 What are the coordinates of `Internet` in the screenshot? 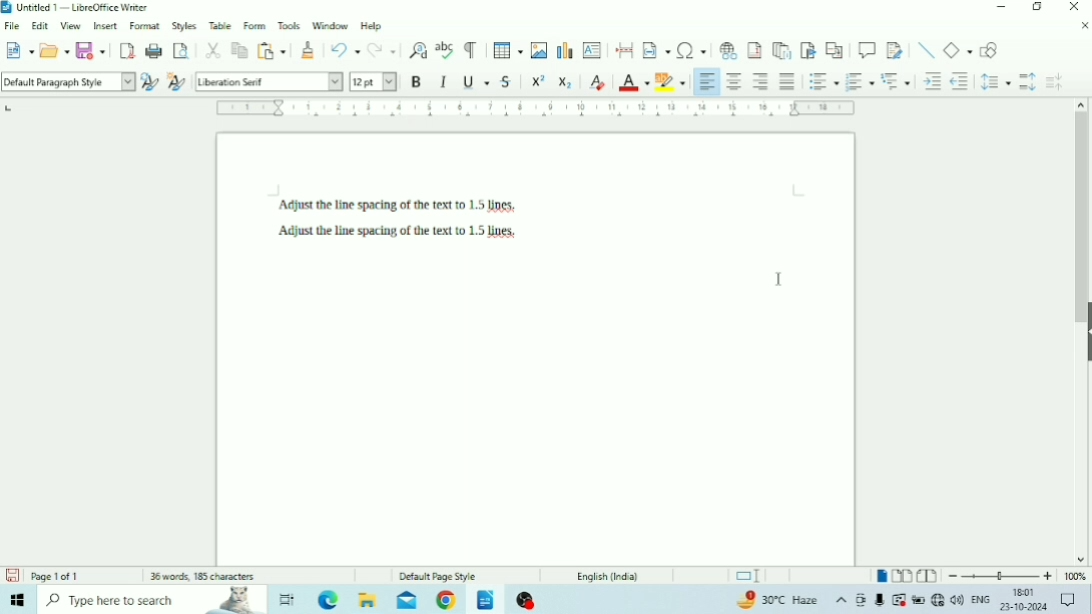 It's located at (938, 600).